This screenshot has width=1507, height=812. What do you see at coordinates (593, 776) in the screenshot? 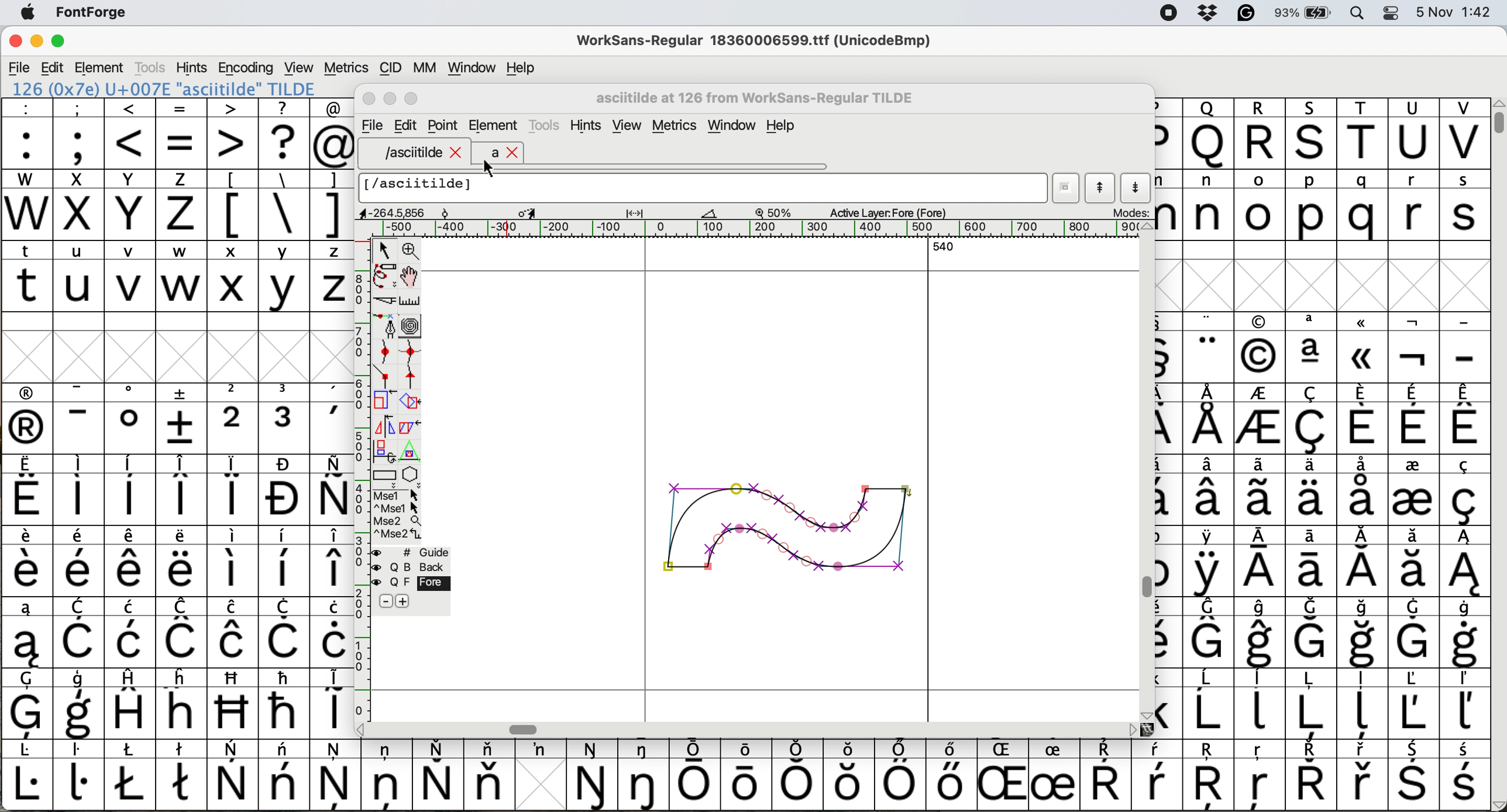
I see `symbol` at bounding box center [593, 776].